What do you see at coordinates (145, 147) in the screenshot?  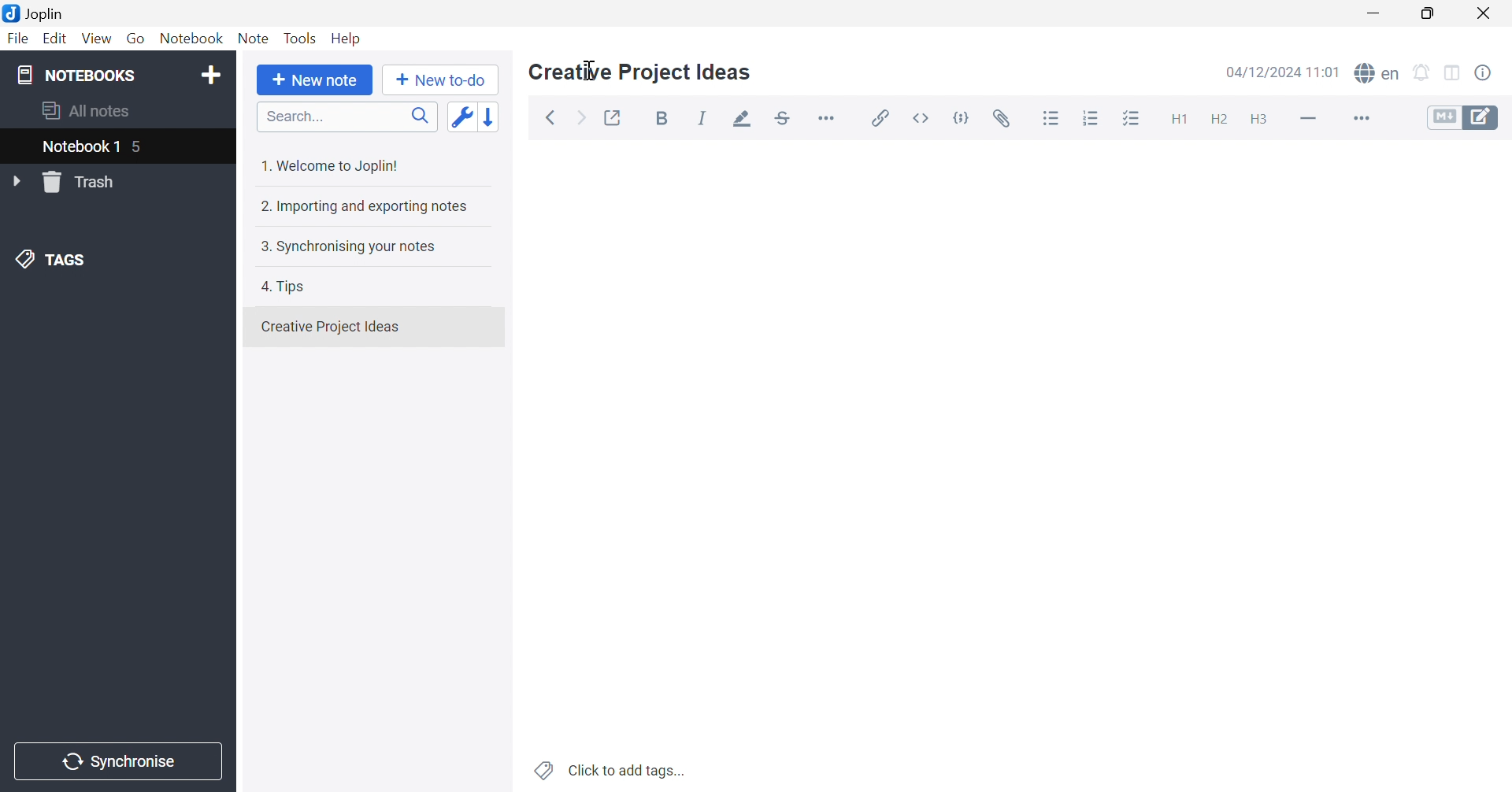 I see `5` at bounding box center [145, 147].